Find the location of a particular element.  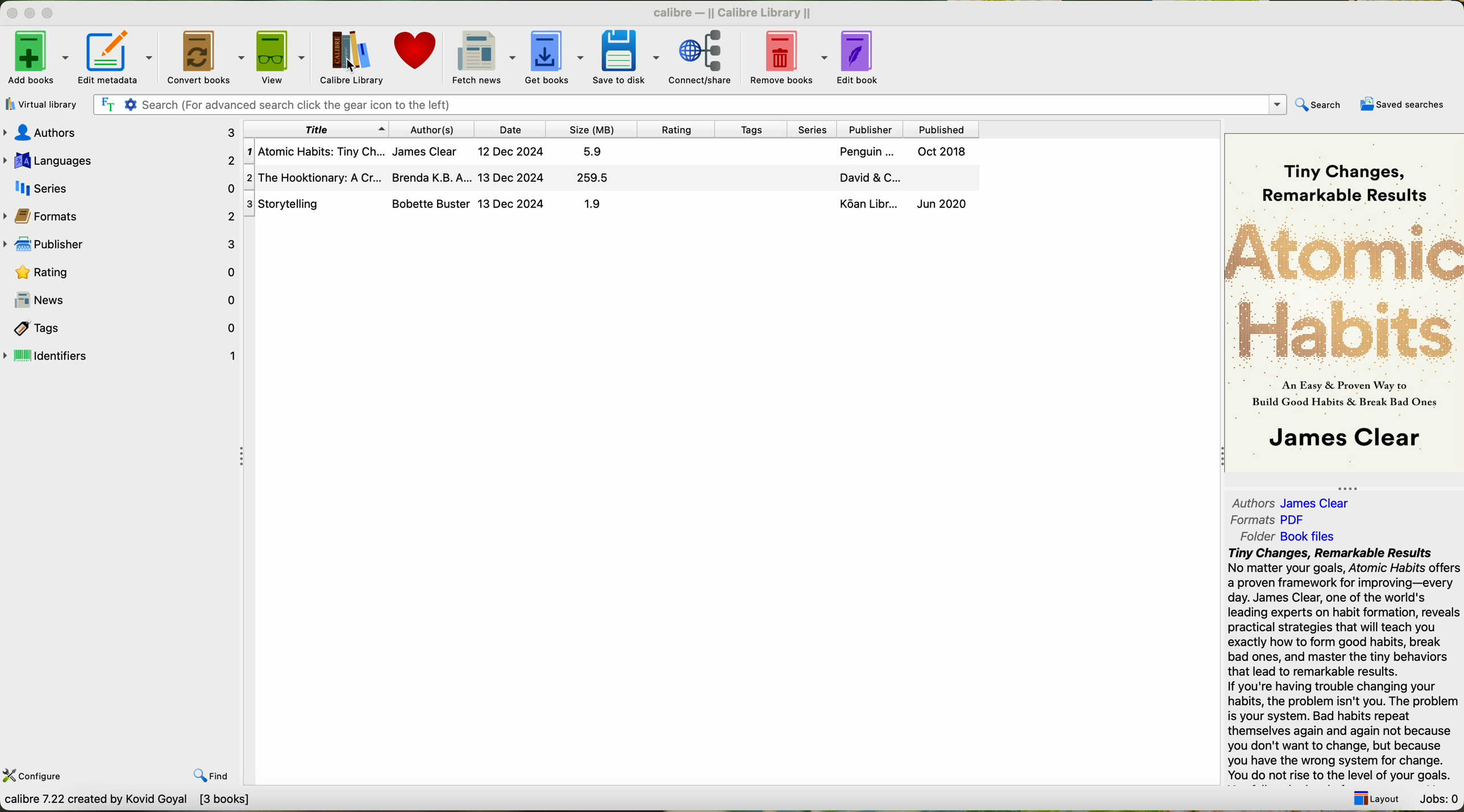

rating is located at coordinates (122, 272).